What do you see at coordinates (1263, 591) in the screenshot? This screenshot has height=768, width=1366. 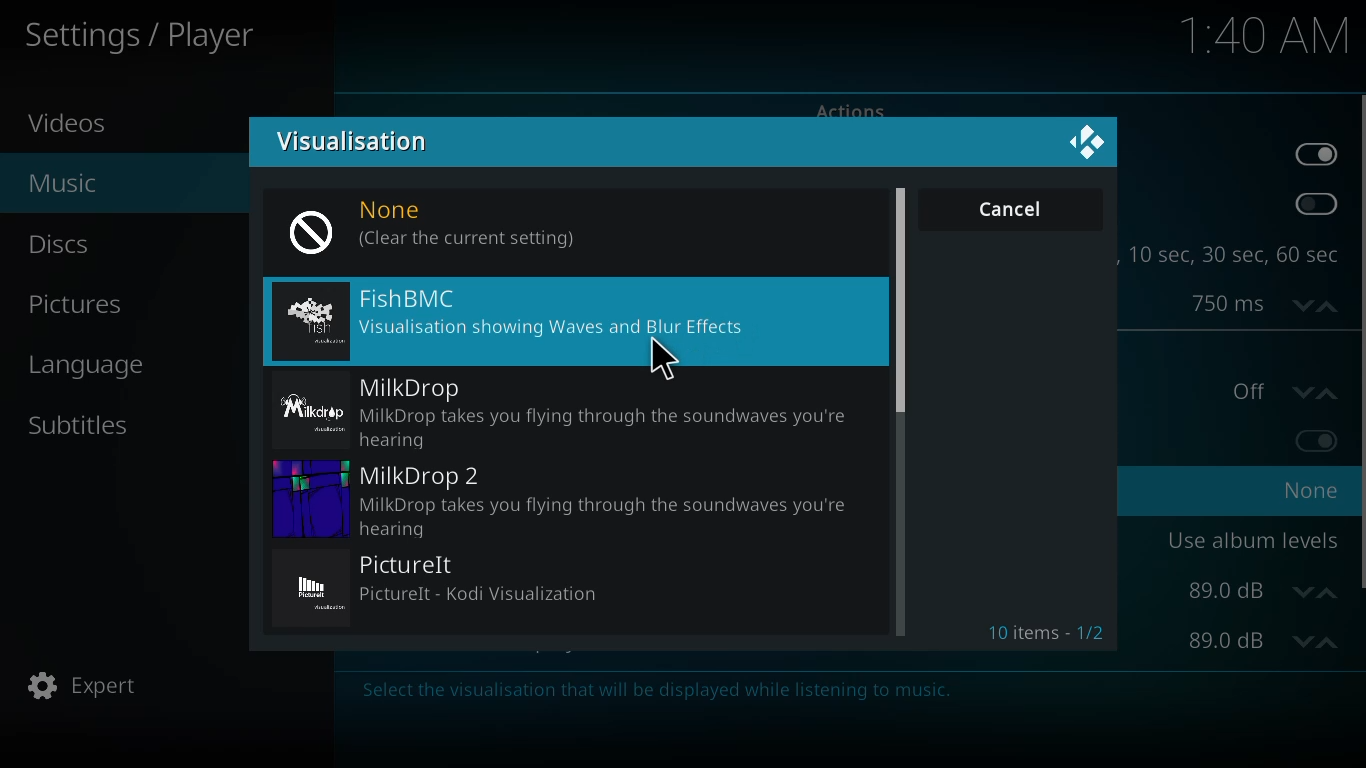 I see `db` at bounding box center [1263, 591].